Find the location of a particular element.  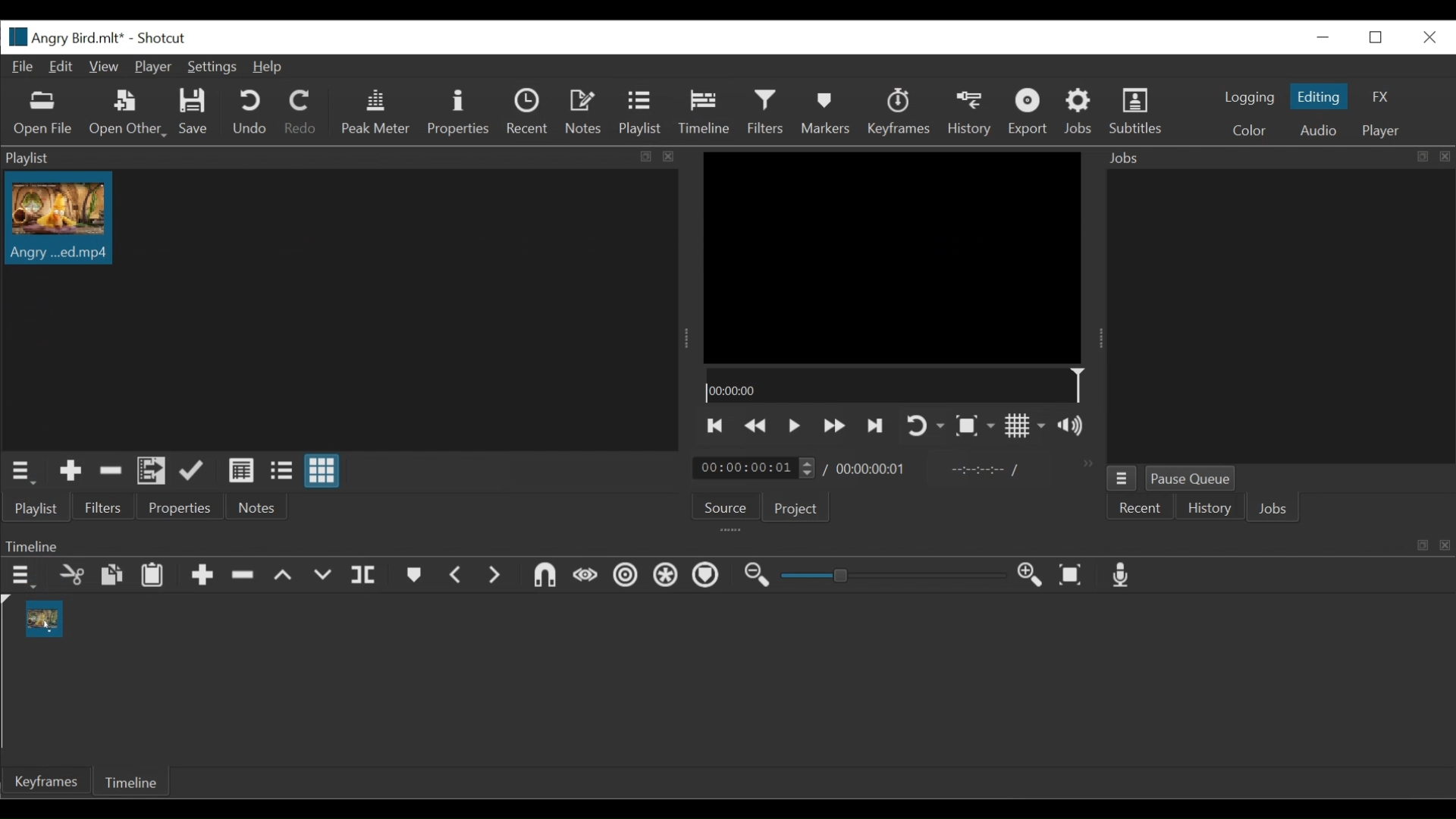

Ripple all tracks is located at coordinates (664, 575).